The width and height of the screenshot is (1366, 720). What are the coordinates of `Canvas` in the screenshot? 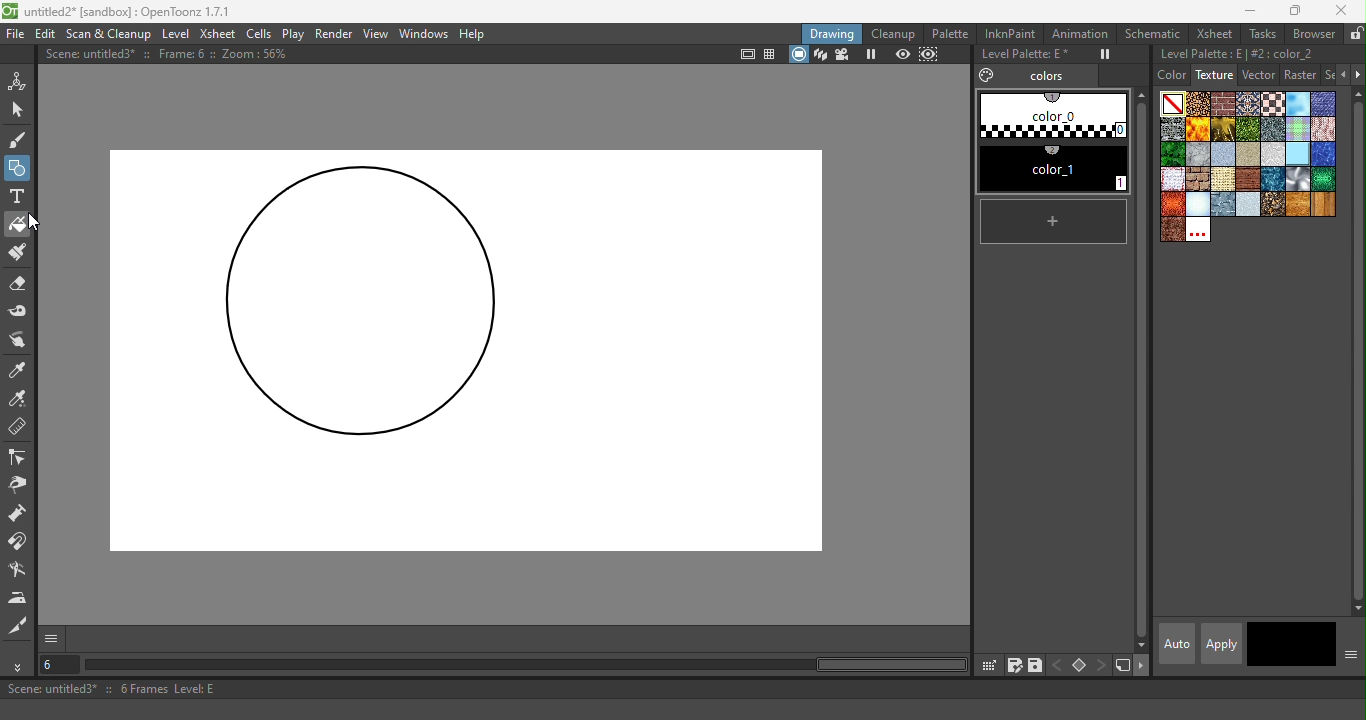 It's located at (463, 349).